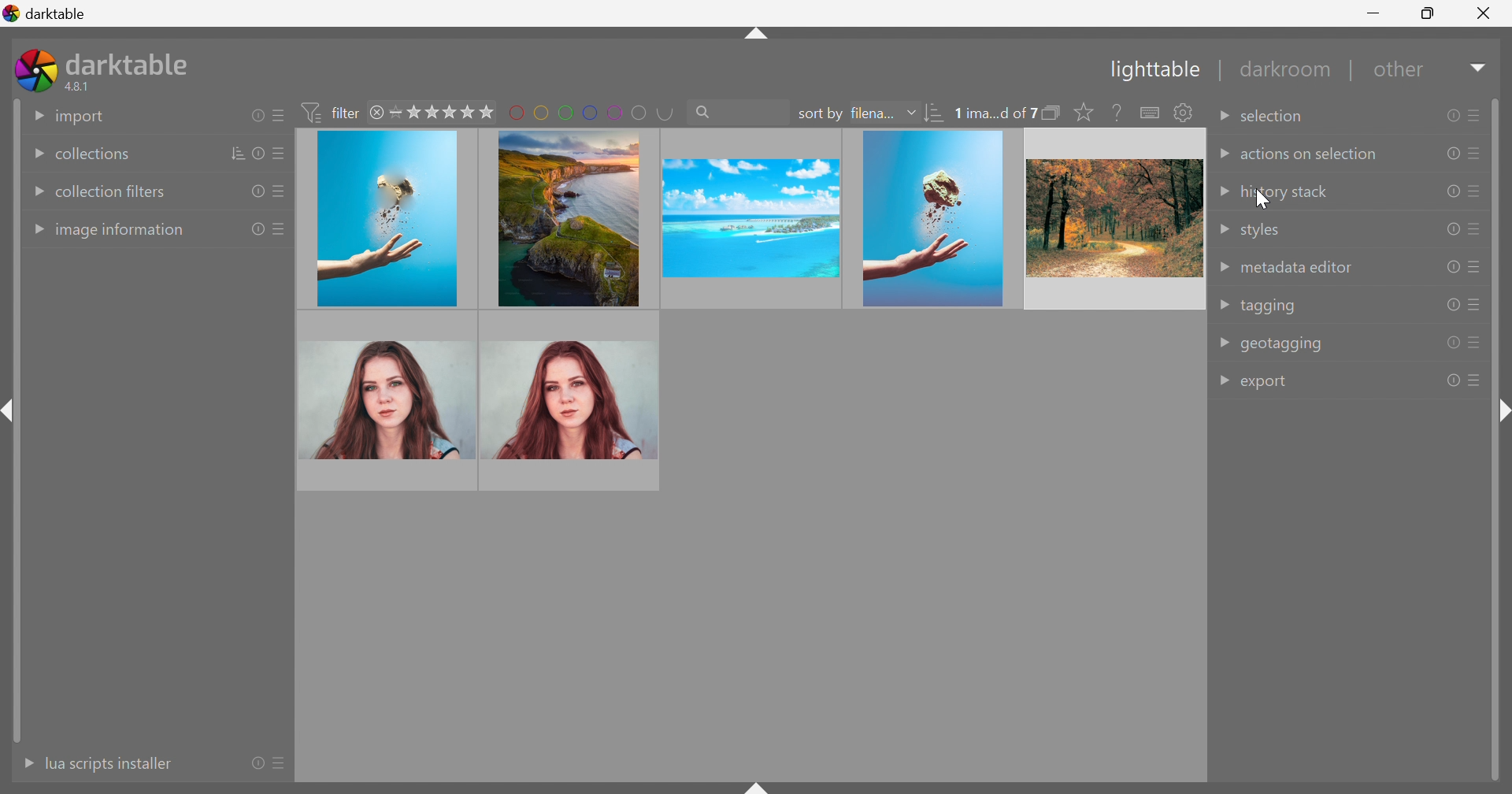 The width and height of the screenshot is (1512, 794). What do you see at coordinates (1268, 382) in the screenshot?
I see `export` at bounding box center [1268, 382].